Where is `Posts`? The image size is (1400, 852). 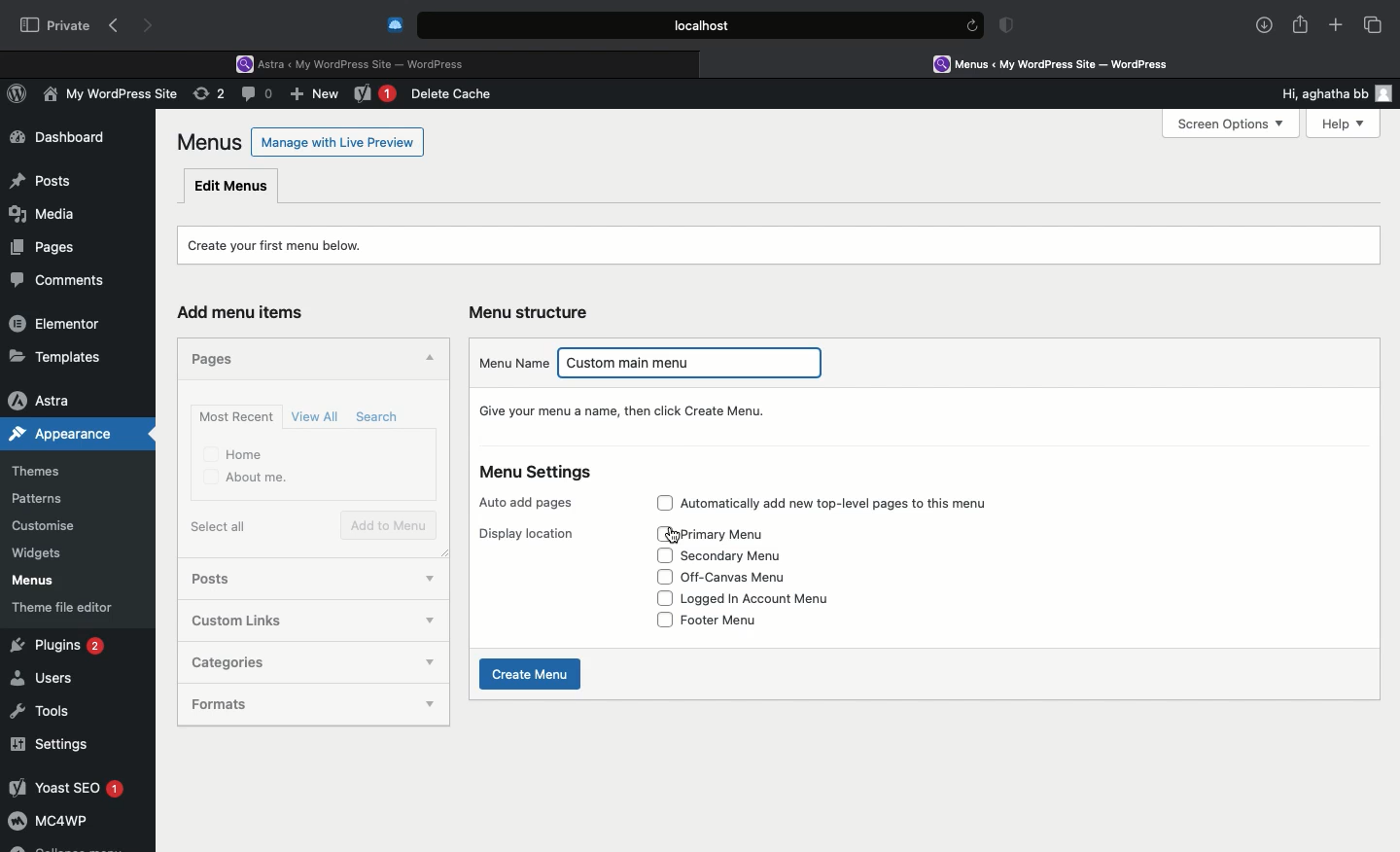 Posts is located at coordinates (229, 581).